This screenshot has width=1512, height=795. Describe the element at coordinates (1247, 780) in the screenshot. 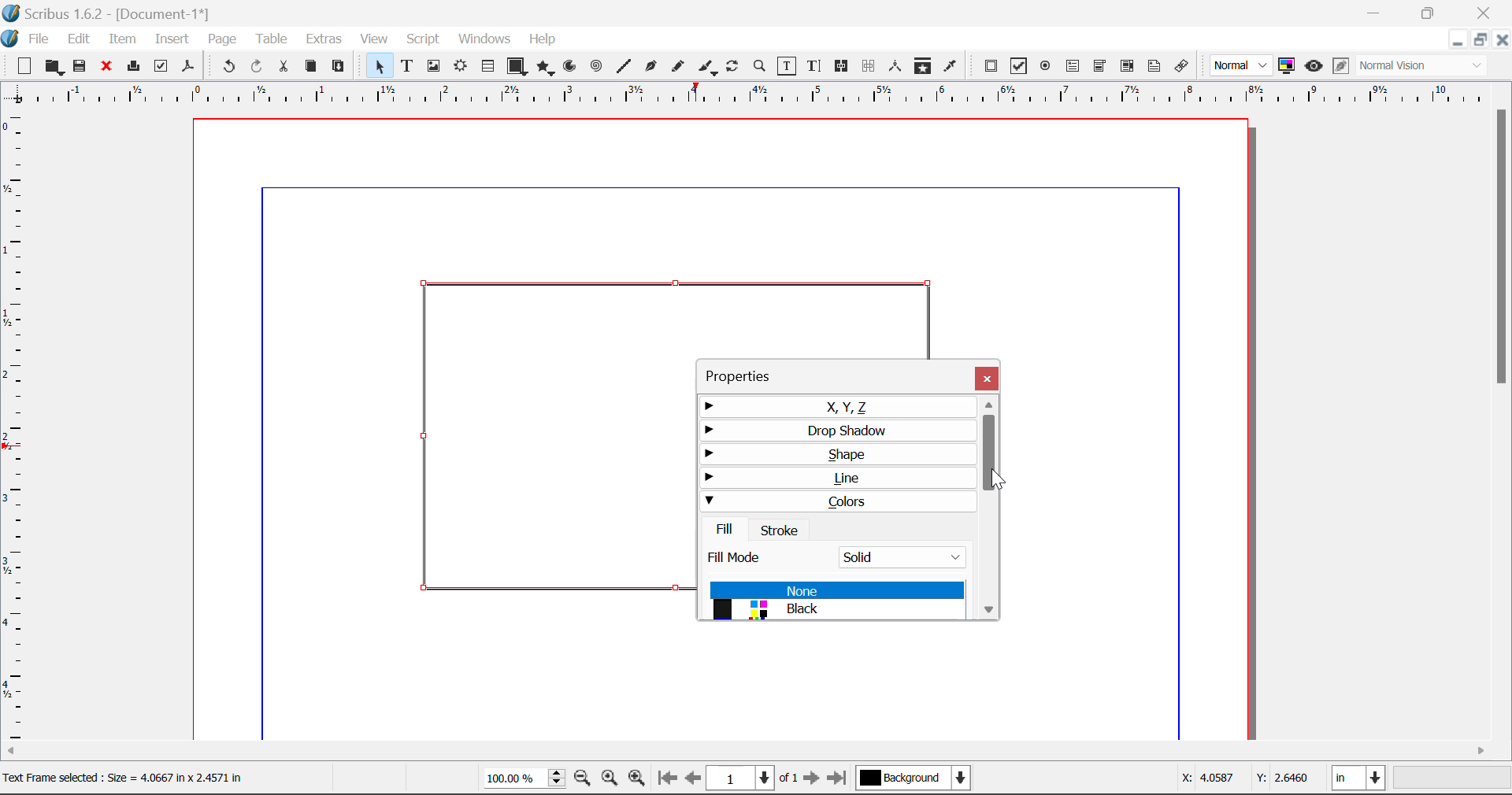

I see `Cursor Coordinates` at that location.